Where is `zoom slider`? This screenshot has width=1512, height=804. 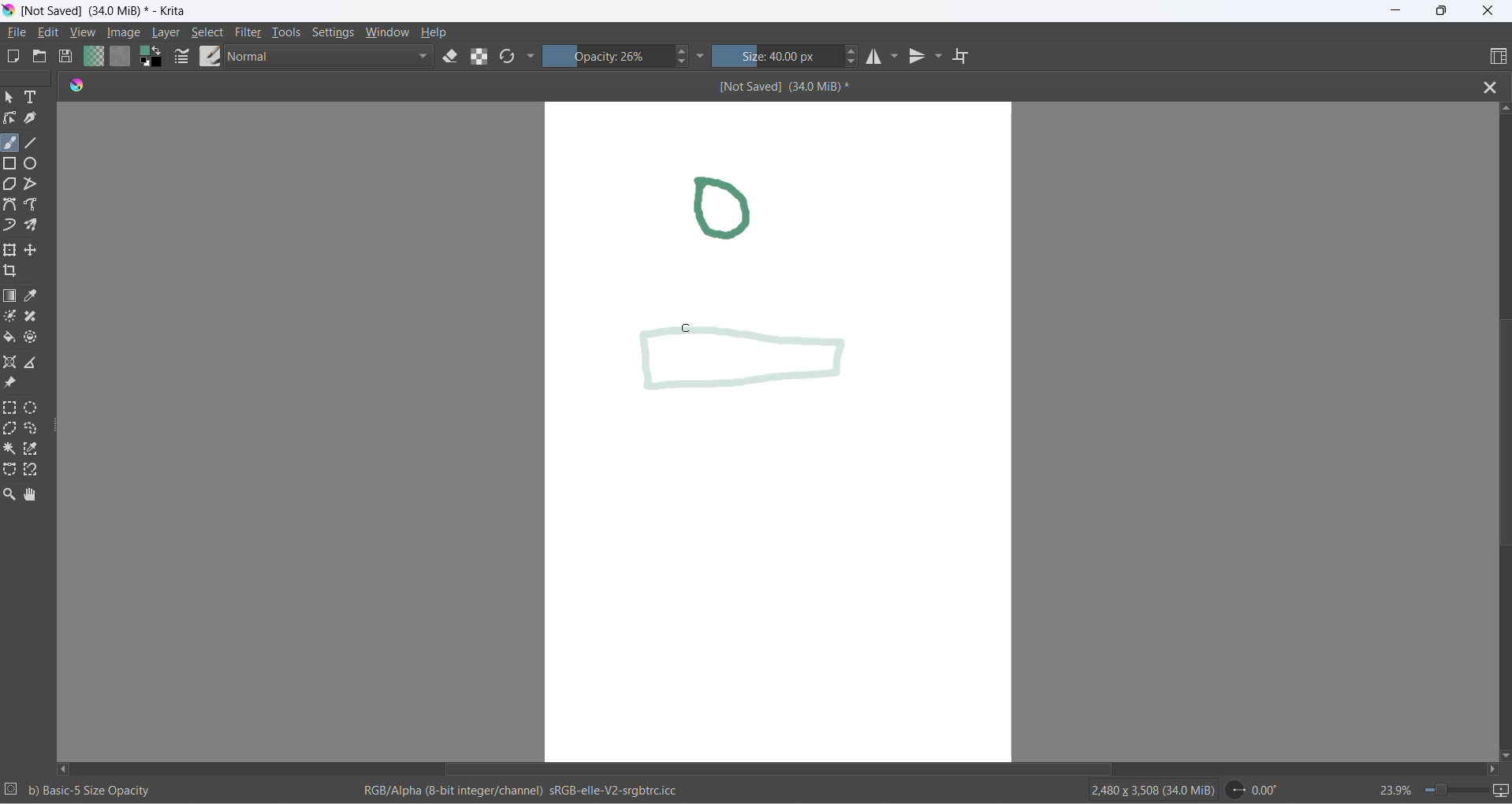
zoom slider is located at coordinates (1453, 791).